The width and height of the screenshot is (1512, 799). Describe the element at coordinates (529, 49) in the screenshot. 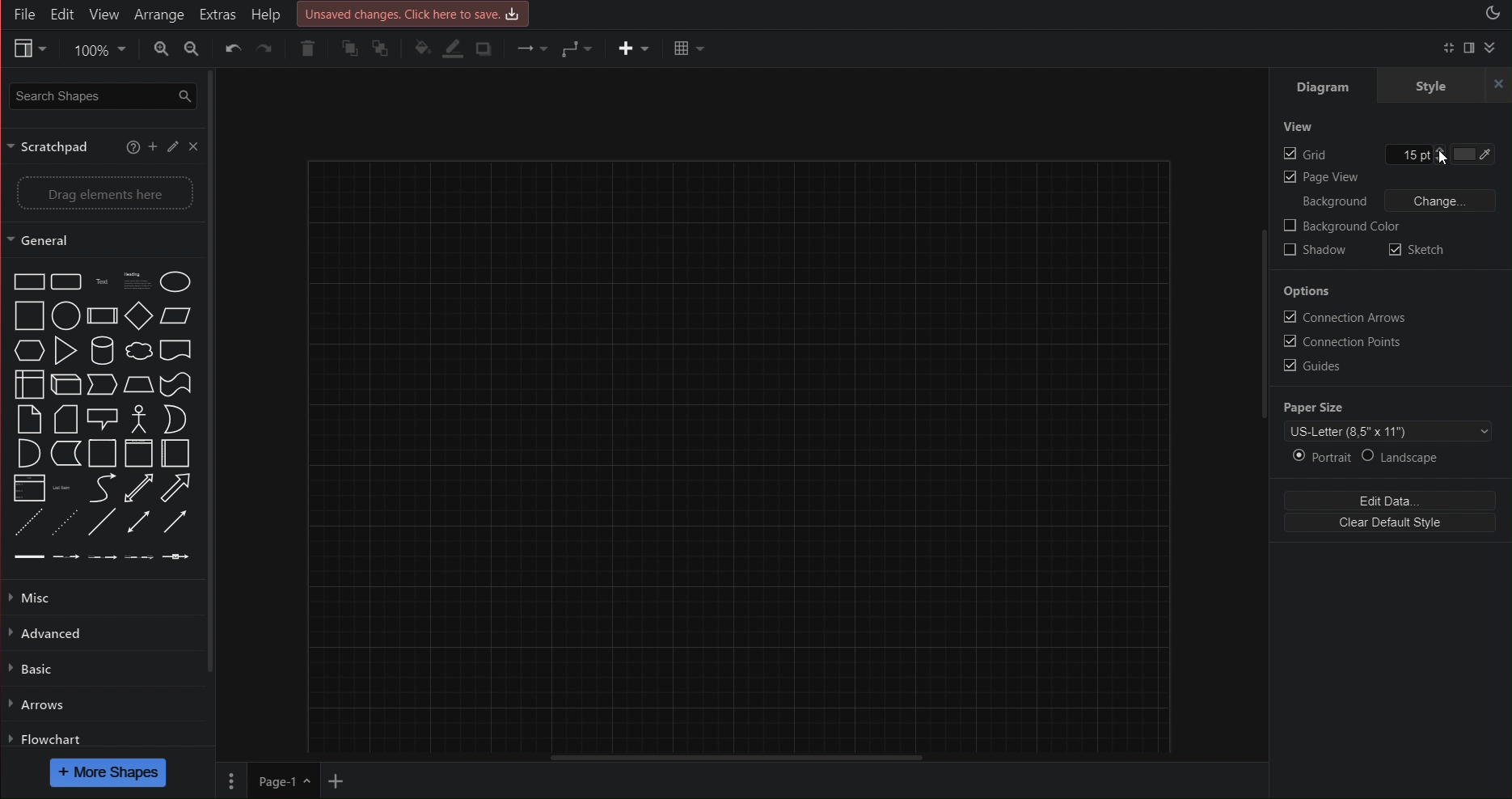

I see `Connection` at that location.